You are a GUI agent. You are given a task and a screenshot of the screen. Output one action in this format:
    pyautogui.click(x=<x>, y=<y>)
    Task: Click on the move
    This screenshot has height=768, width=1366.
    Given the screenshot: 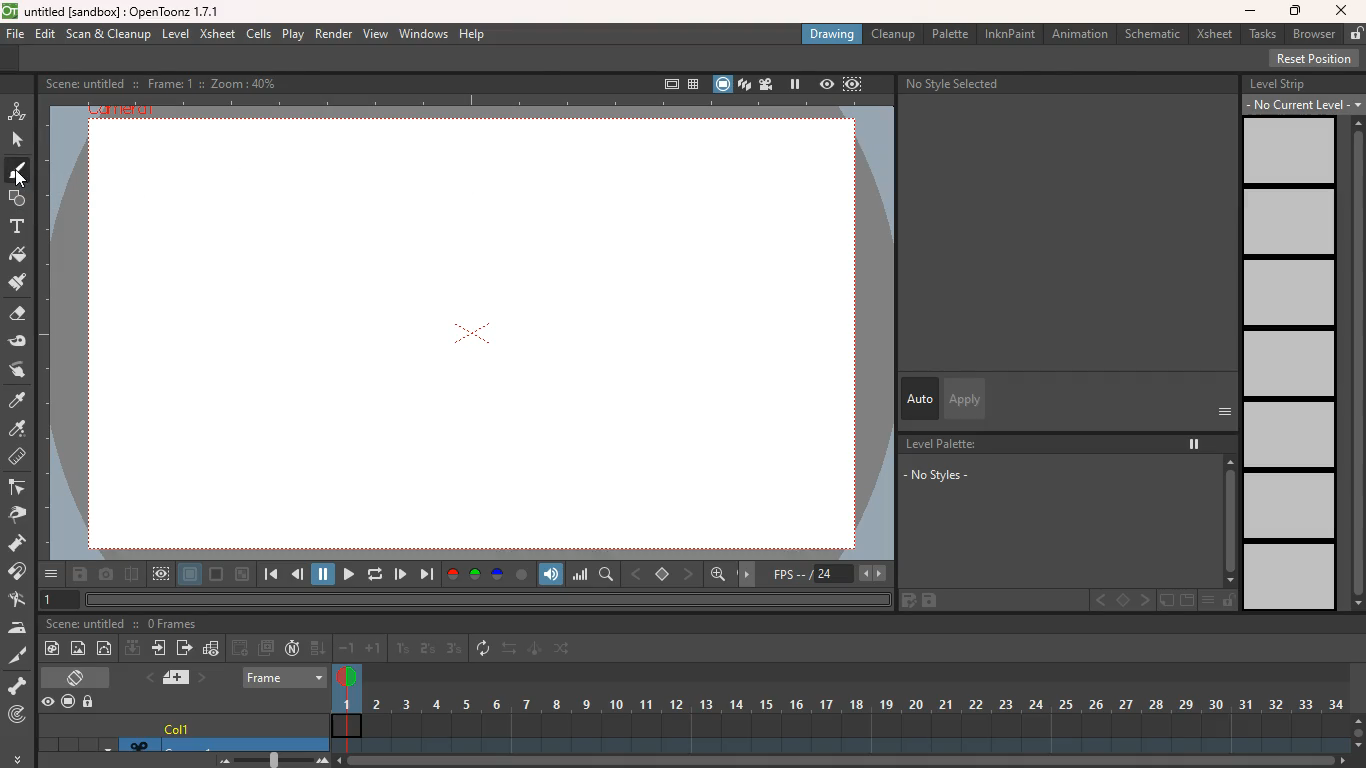 What is the action you would take?
    pyautogui.click(x=750, y=573)
    